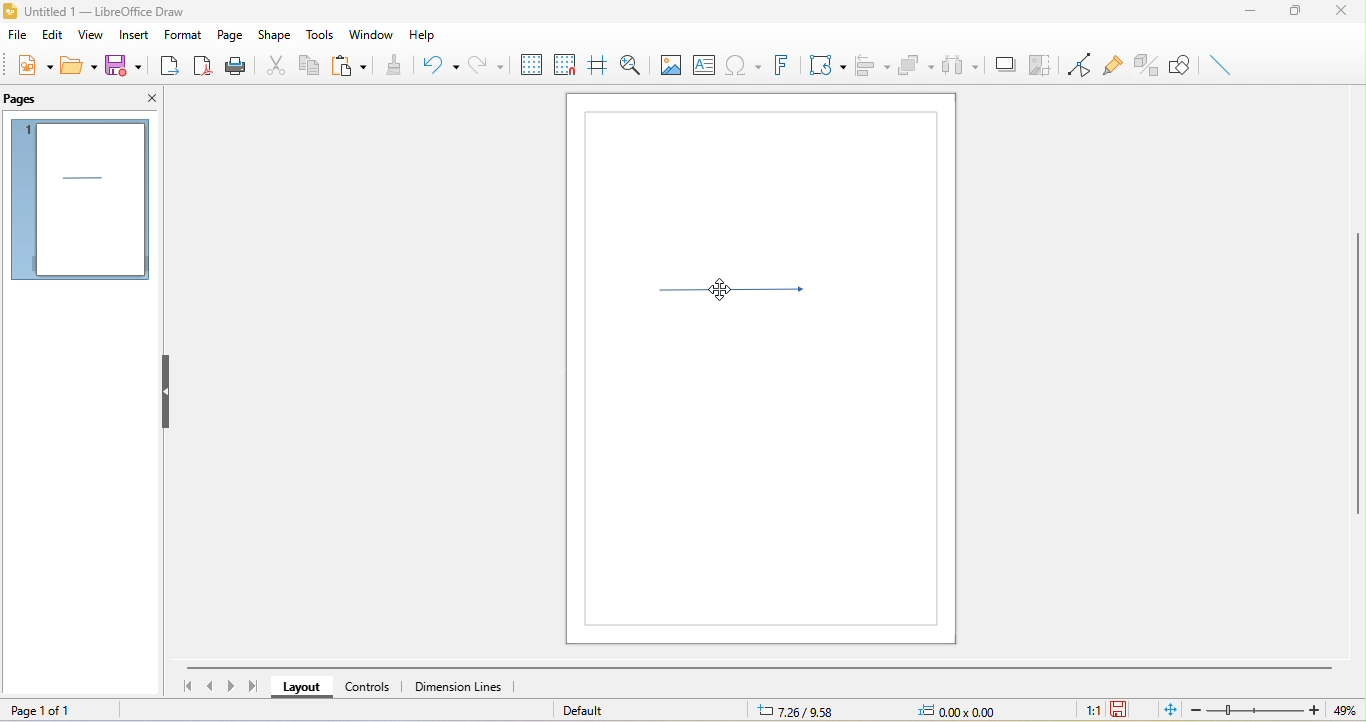 The image size is (1366, 722). I want to click on copy, so click(316, 68).